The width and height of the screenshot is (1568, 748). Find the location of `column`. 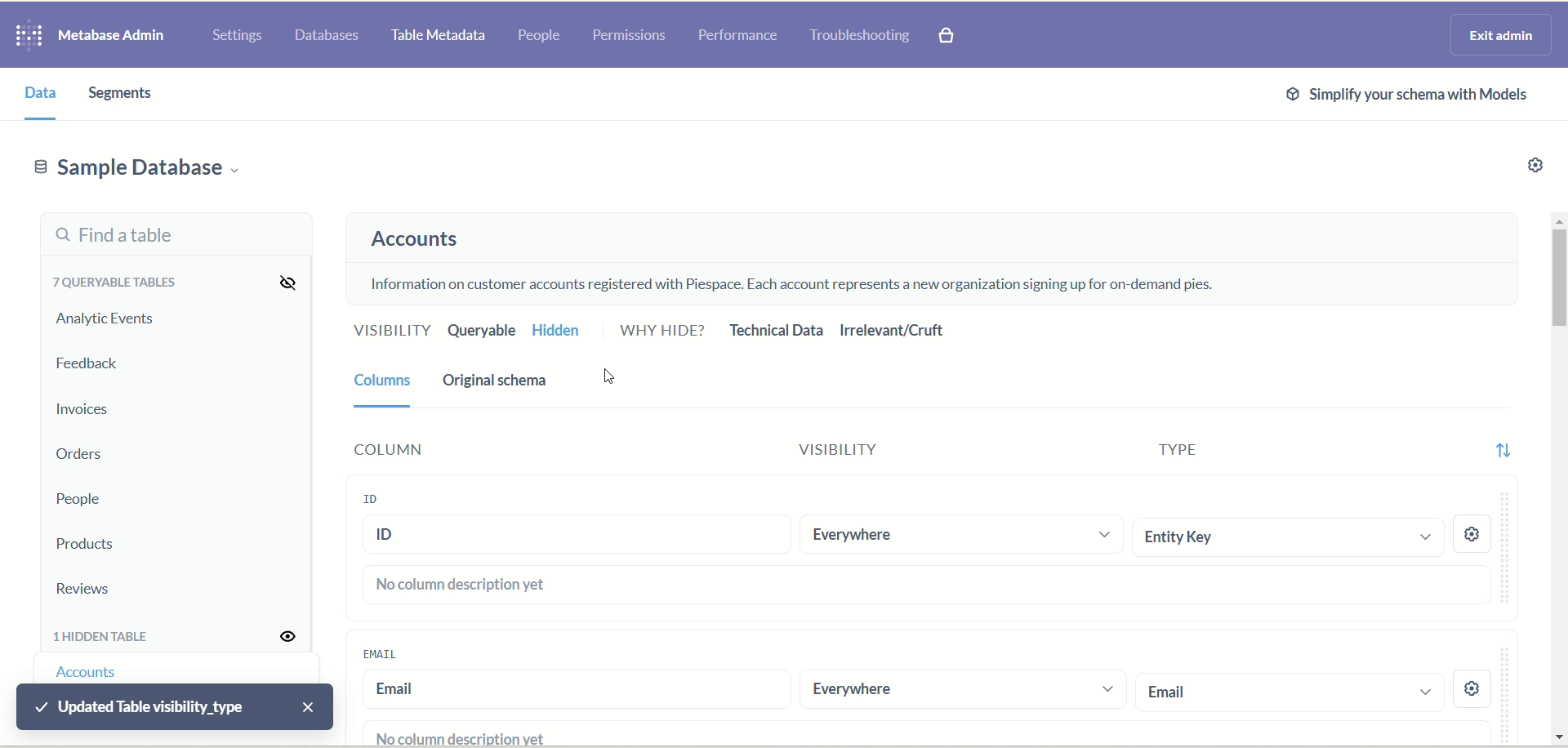

column is located at coordinates (381, 452).